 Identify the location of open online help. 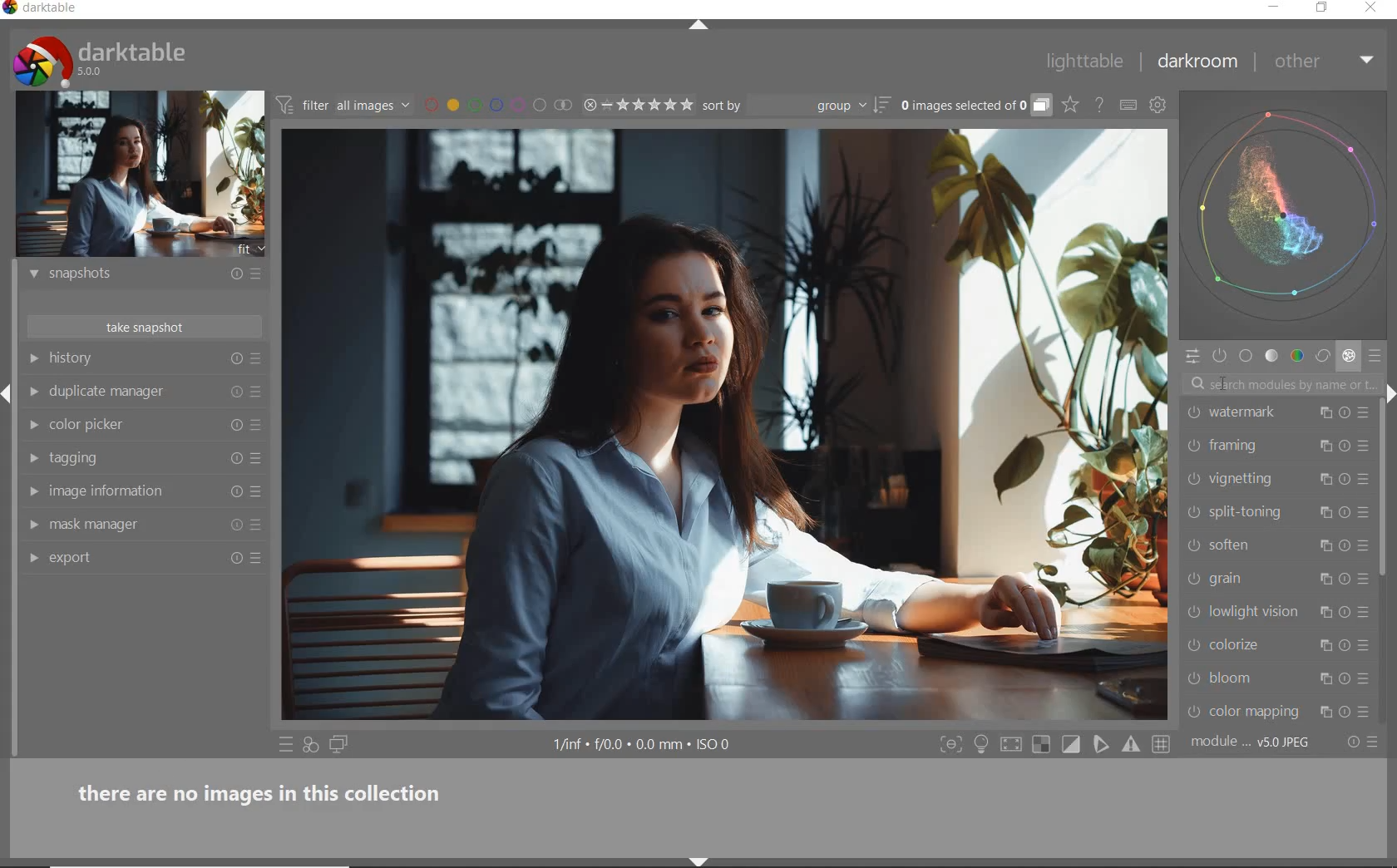
(1099, 104).